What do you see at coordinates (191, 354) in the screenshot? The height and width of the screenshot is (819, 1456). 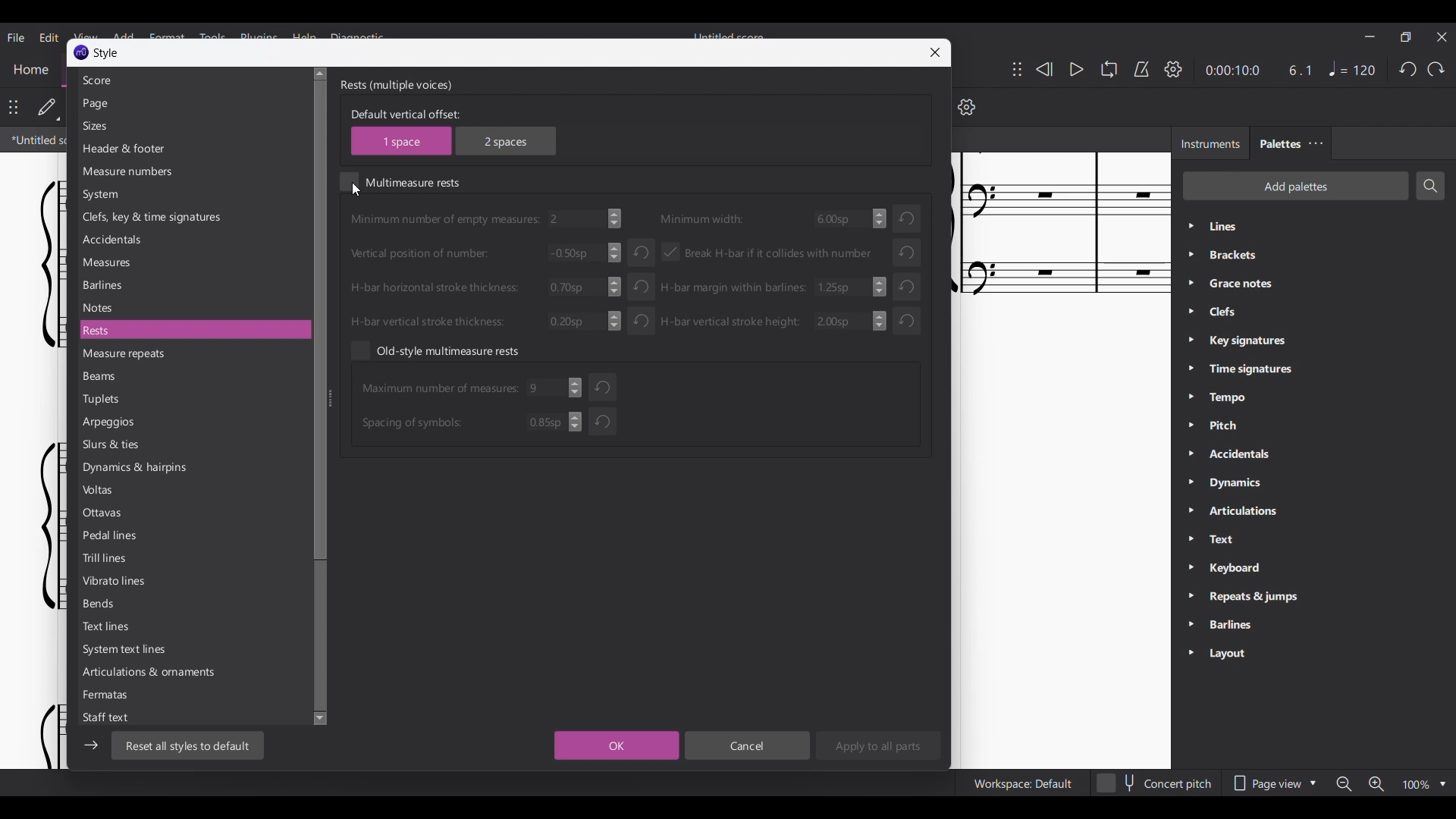 I see `Measure repeats` at bounding box center [191, 354].